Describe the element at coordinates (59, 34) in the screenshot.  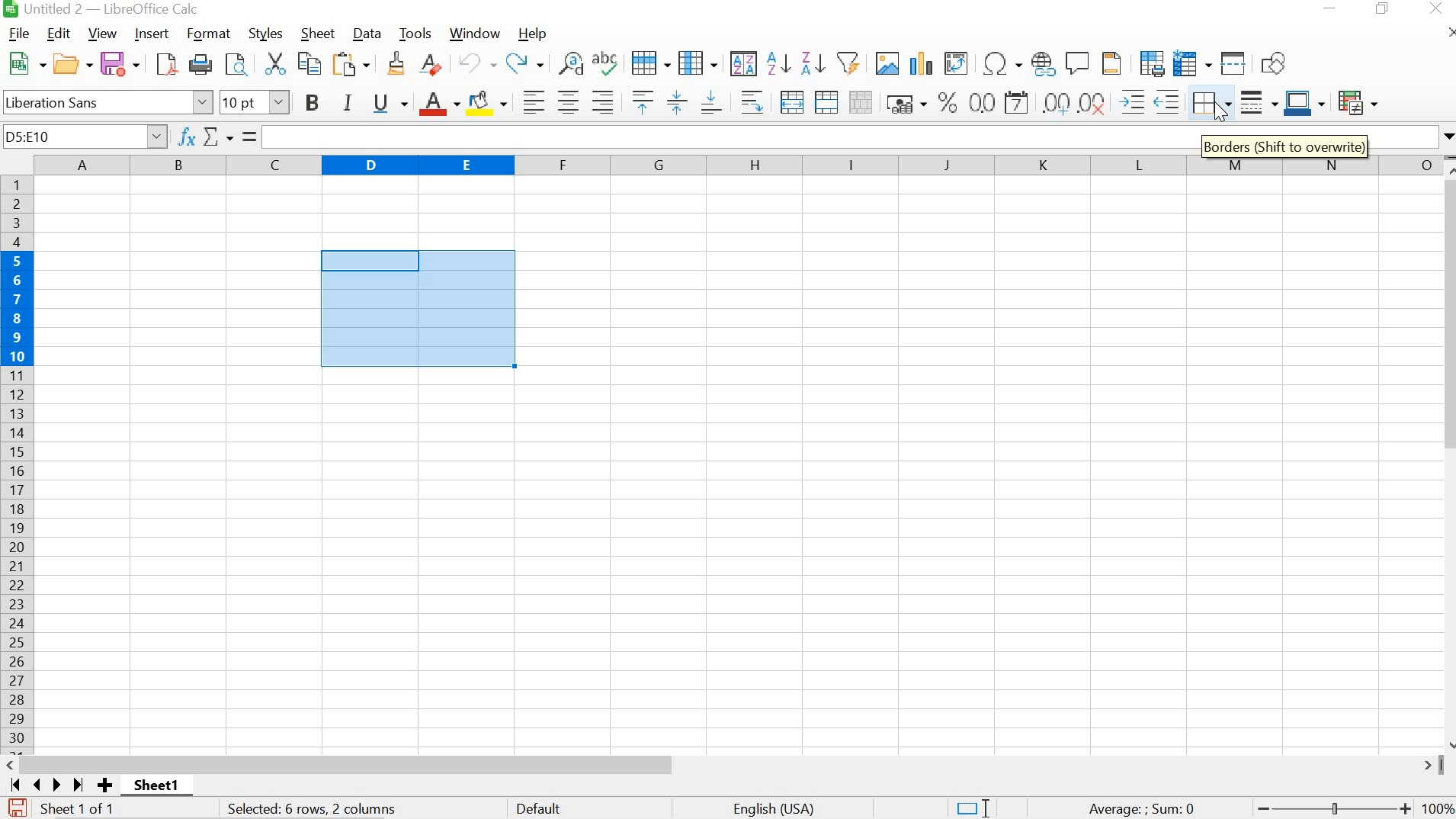
I see `EDIT` at that location.